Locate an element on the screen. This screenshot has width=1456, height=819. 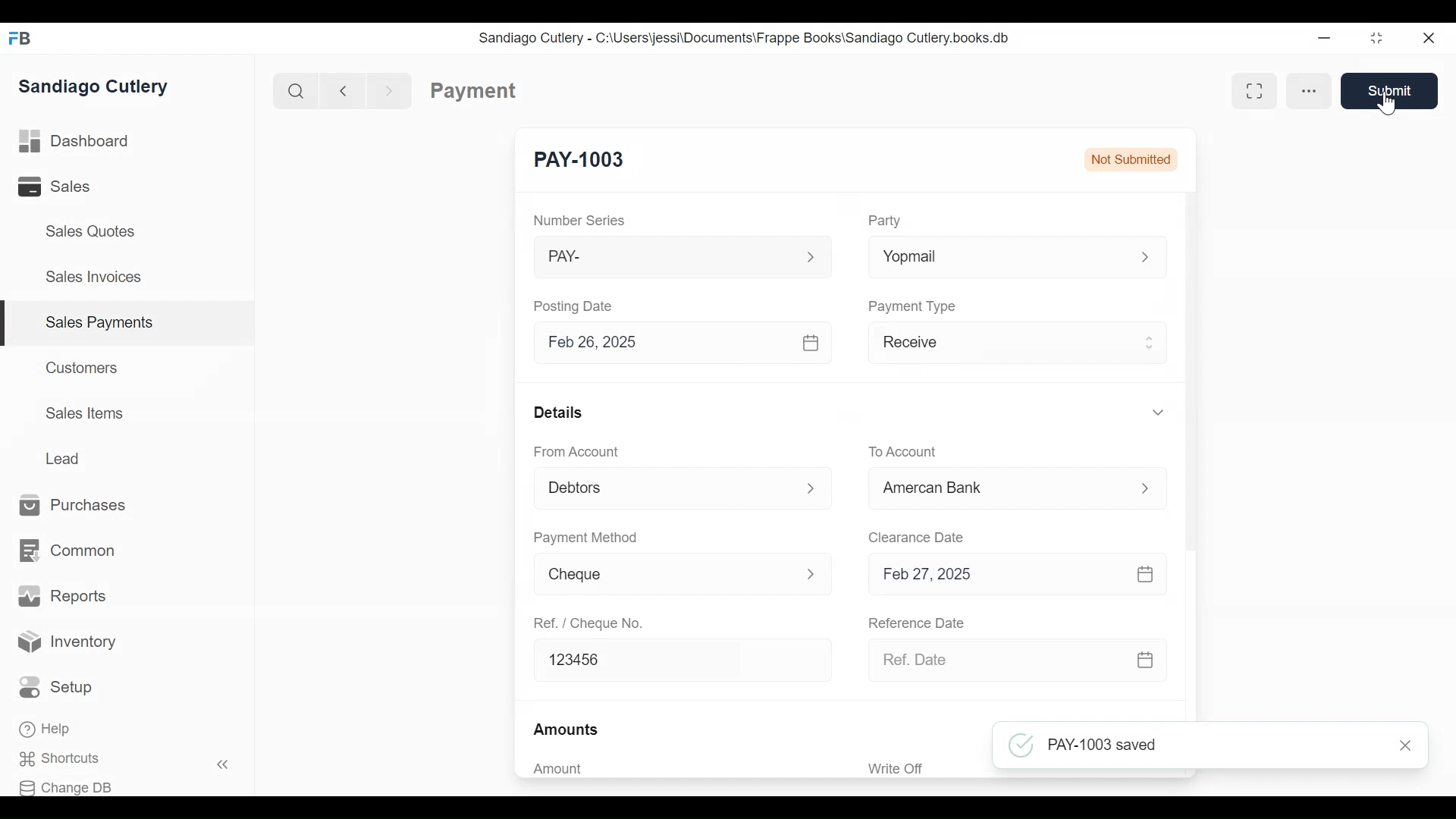
Sales is located at coordinates (65, 187).